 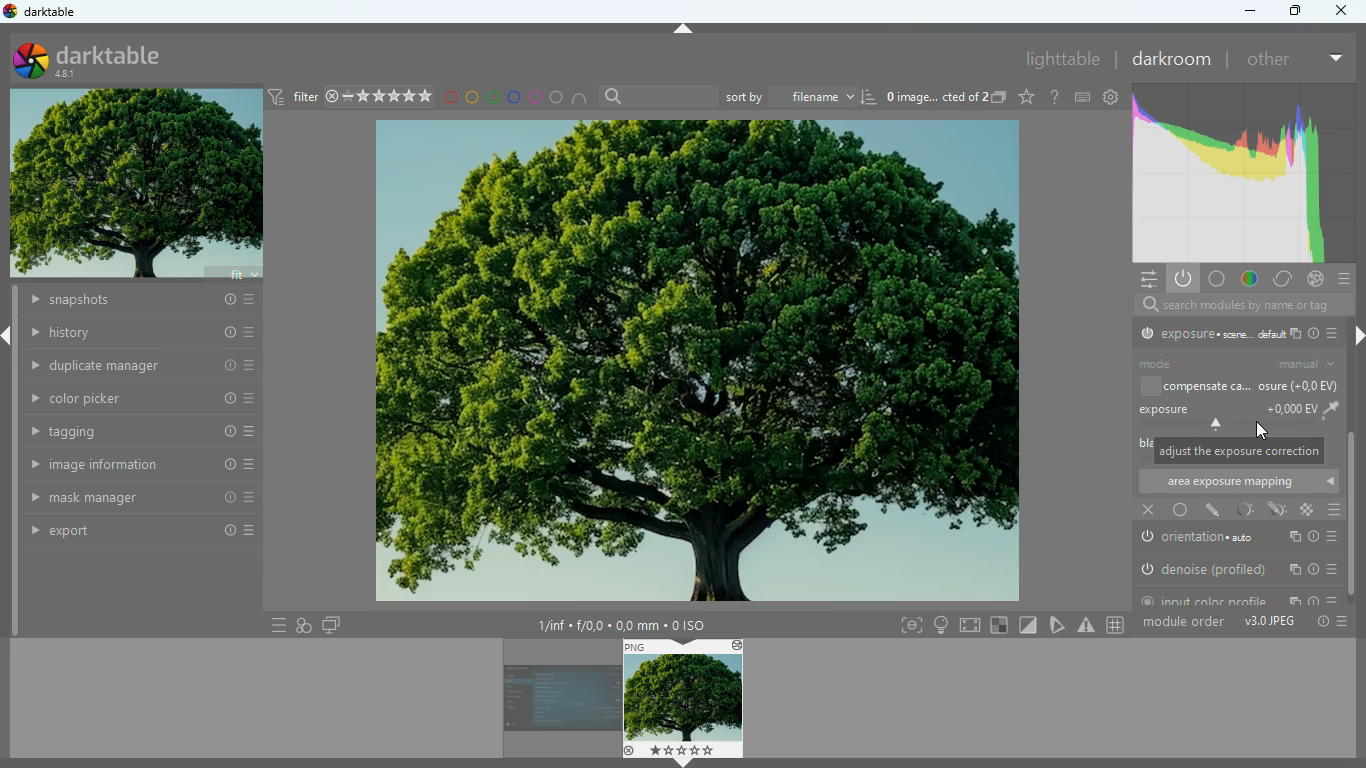 I want to click on output profile, so click(x=1236, y=333).